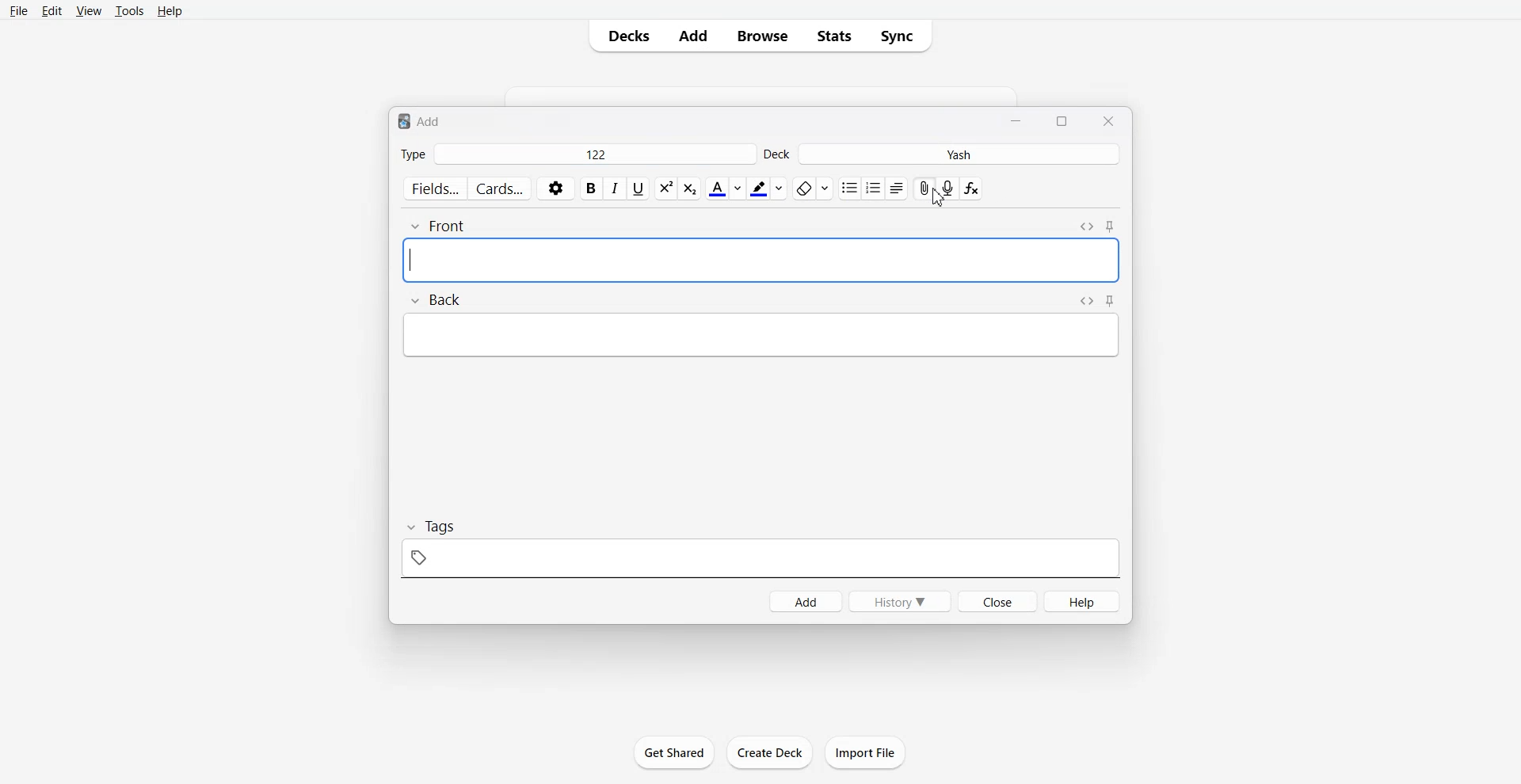 This screenshot has width=1521, height=784. What do you see at coordinates (692, 36) in the screenshot?
I see `Add` at bounding box center [692, 36].